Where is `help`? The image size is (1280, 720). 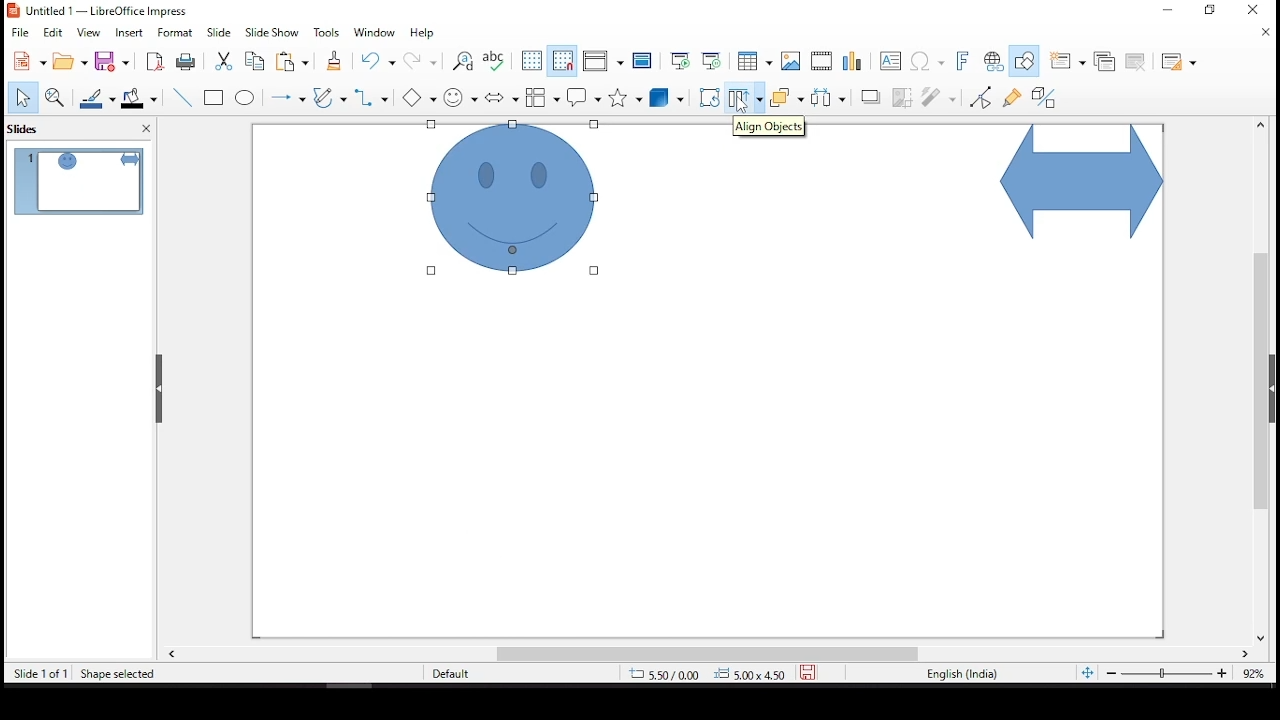 help is located at coordinates (423, 34).